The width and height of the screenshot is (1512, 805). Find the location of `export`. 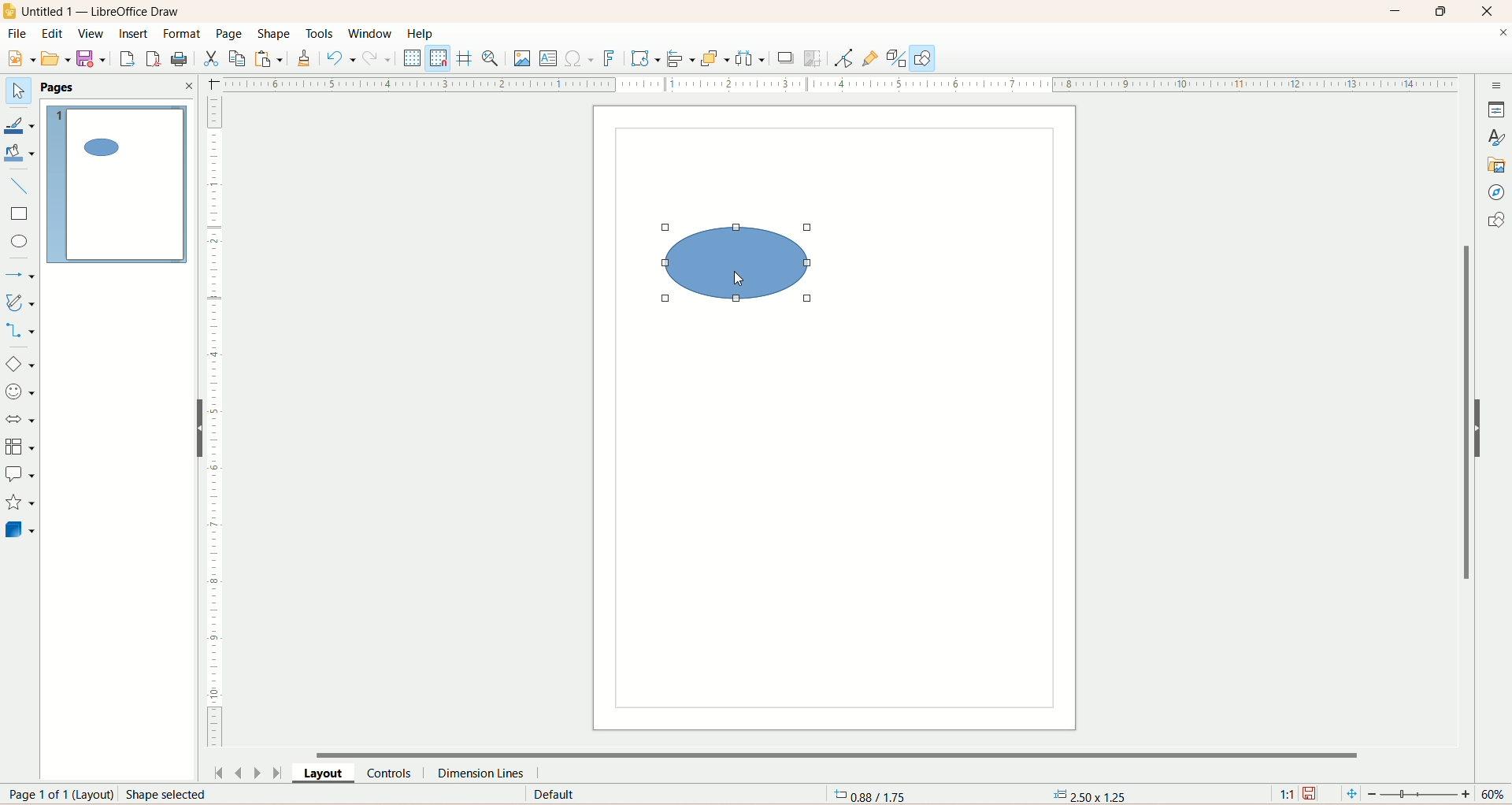

export is located at coordinates (128, 55).